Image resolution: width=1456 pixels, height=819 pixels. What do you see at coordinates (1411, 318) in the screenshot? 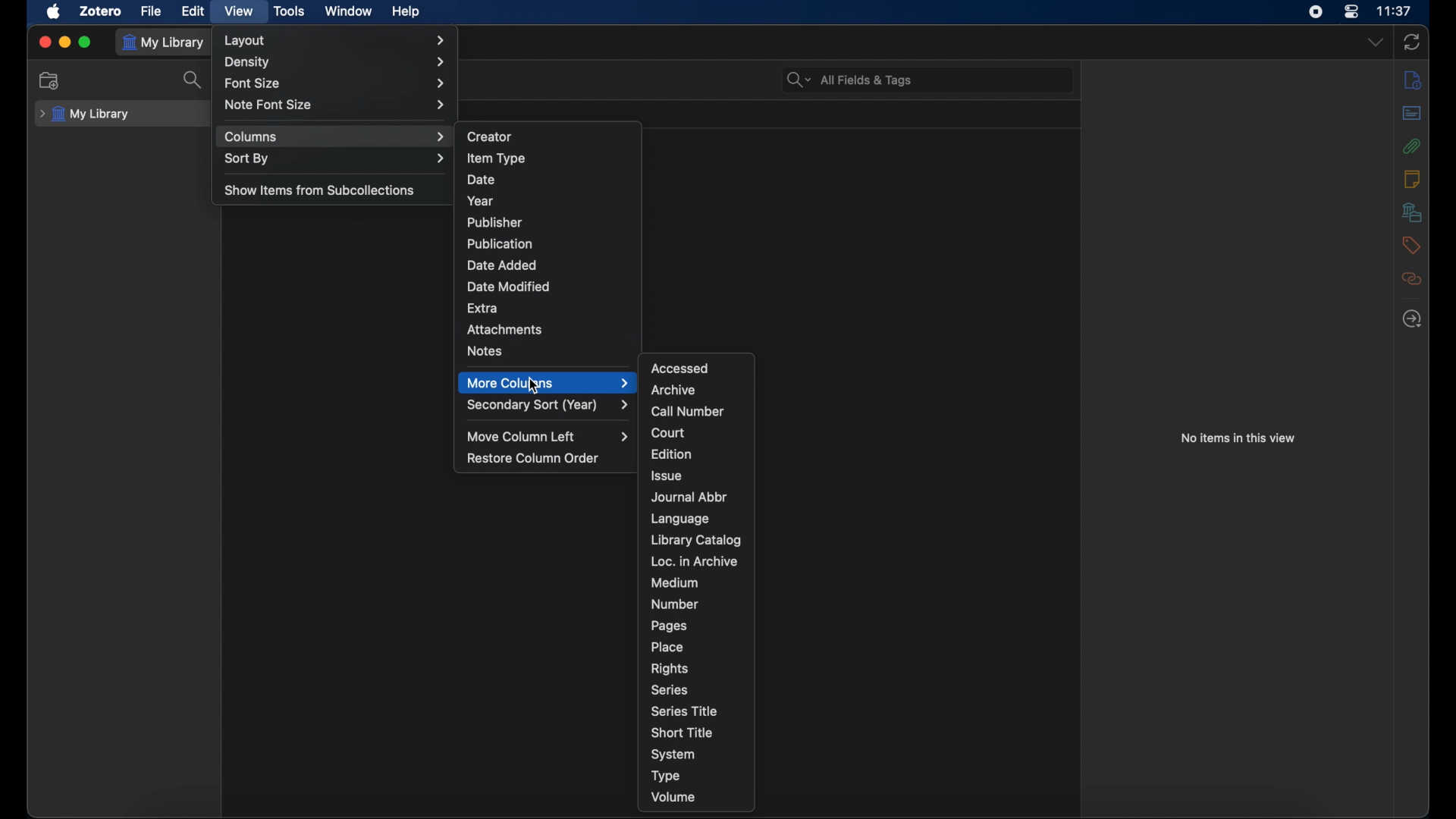
I see `locate` at bounding box center [1411, 318].